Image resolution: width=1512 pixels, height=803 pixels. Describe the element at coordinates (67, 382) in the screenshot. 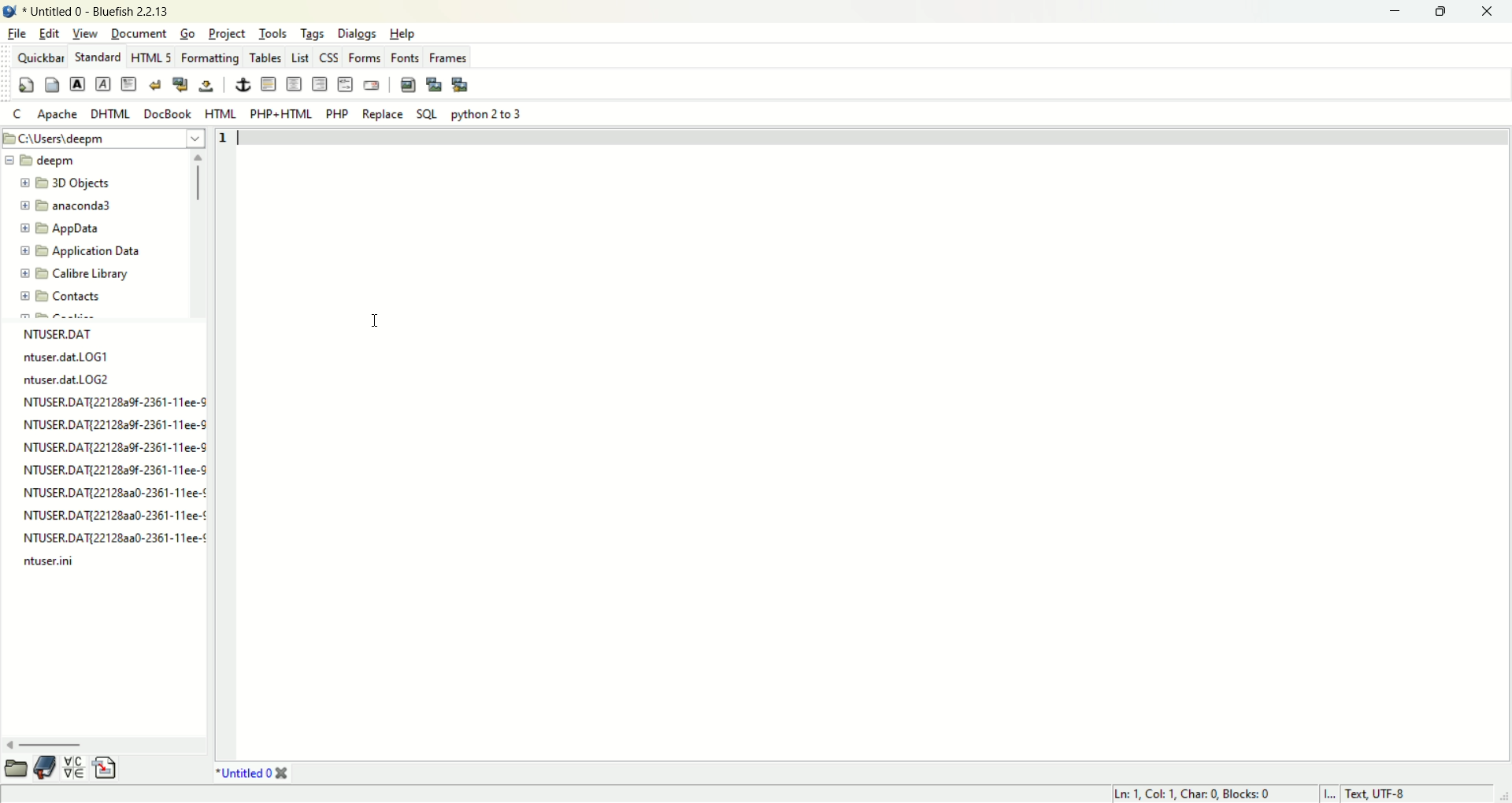

I see `ntuser.dat.LOG2` at that location.